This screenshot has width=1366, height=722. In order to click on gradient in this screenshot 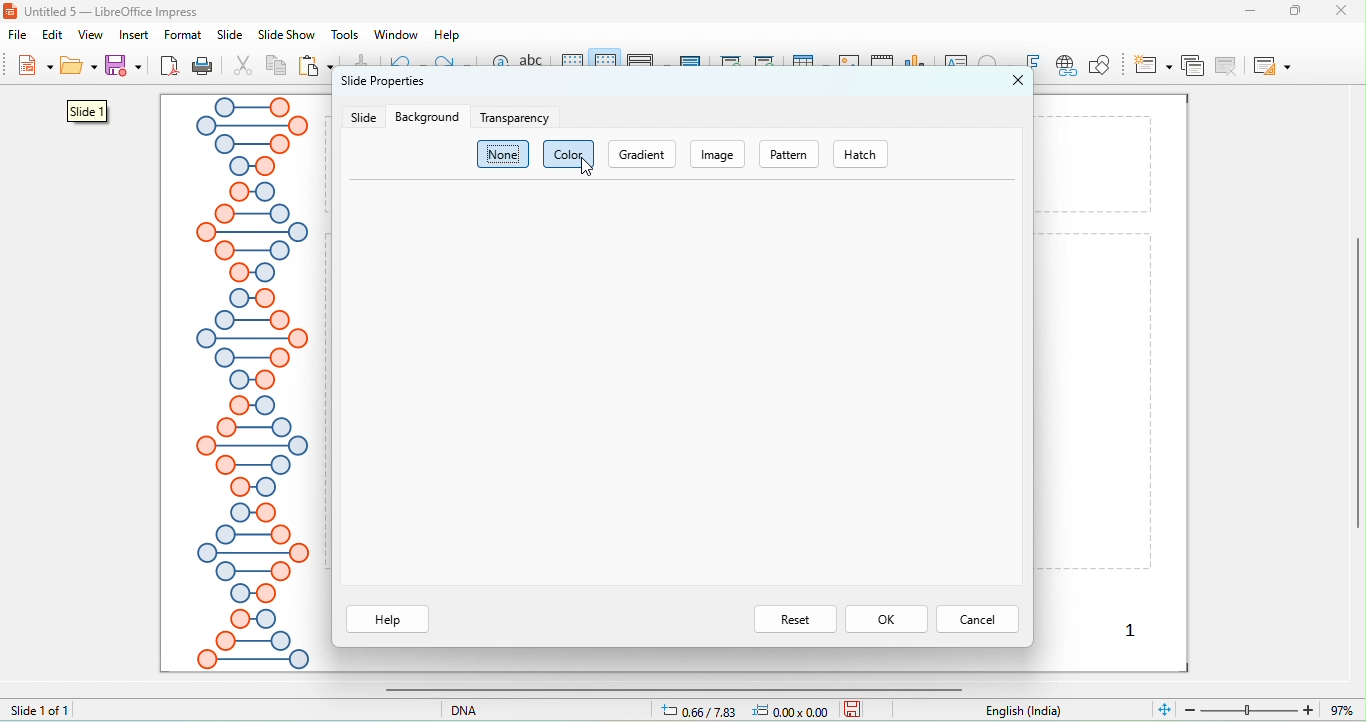, I will do `click(643, 154)`.